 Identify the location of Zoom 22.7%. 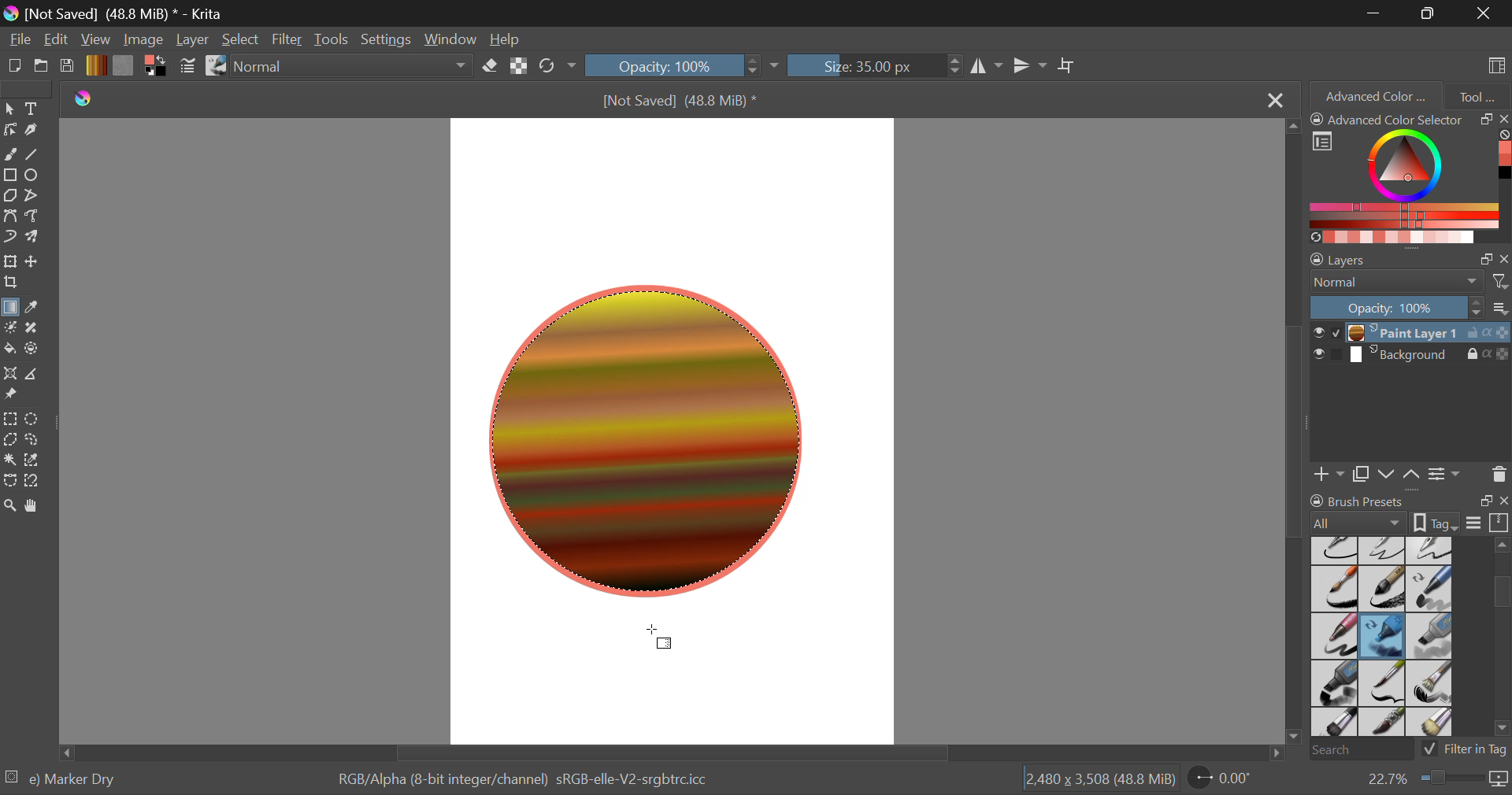
(1431, 779).